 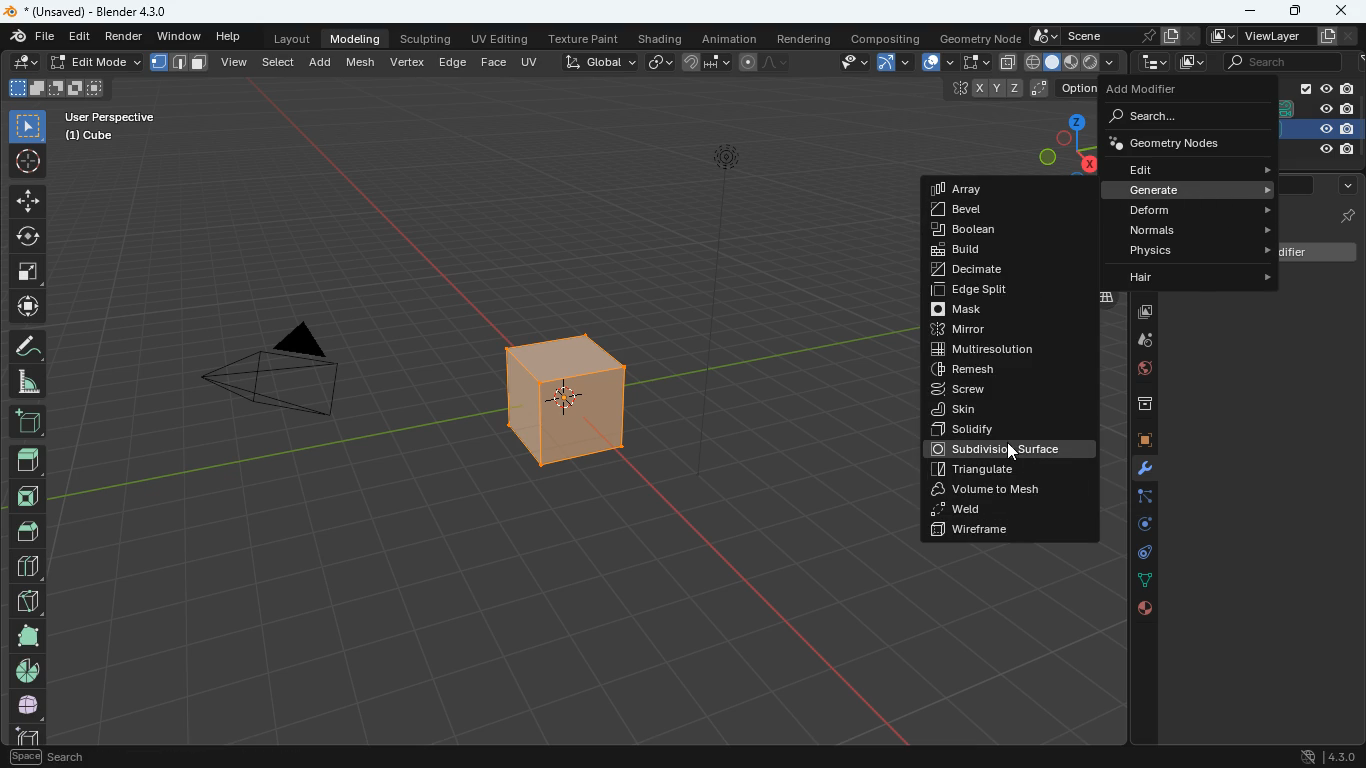 I want to click on select, so click(x=28, y=127).